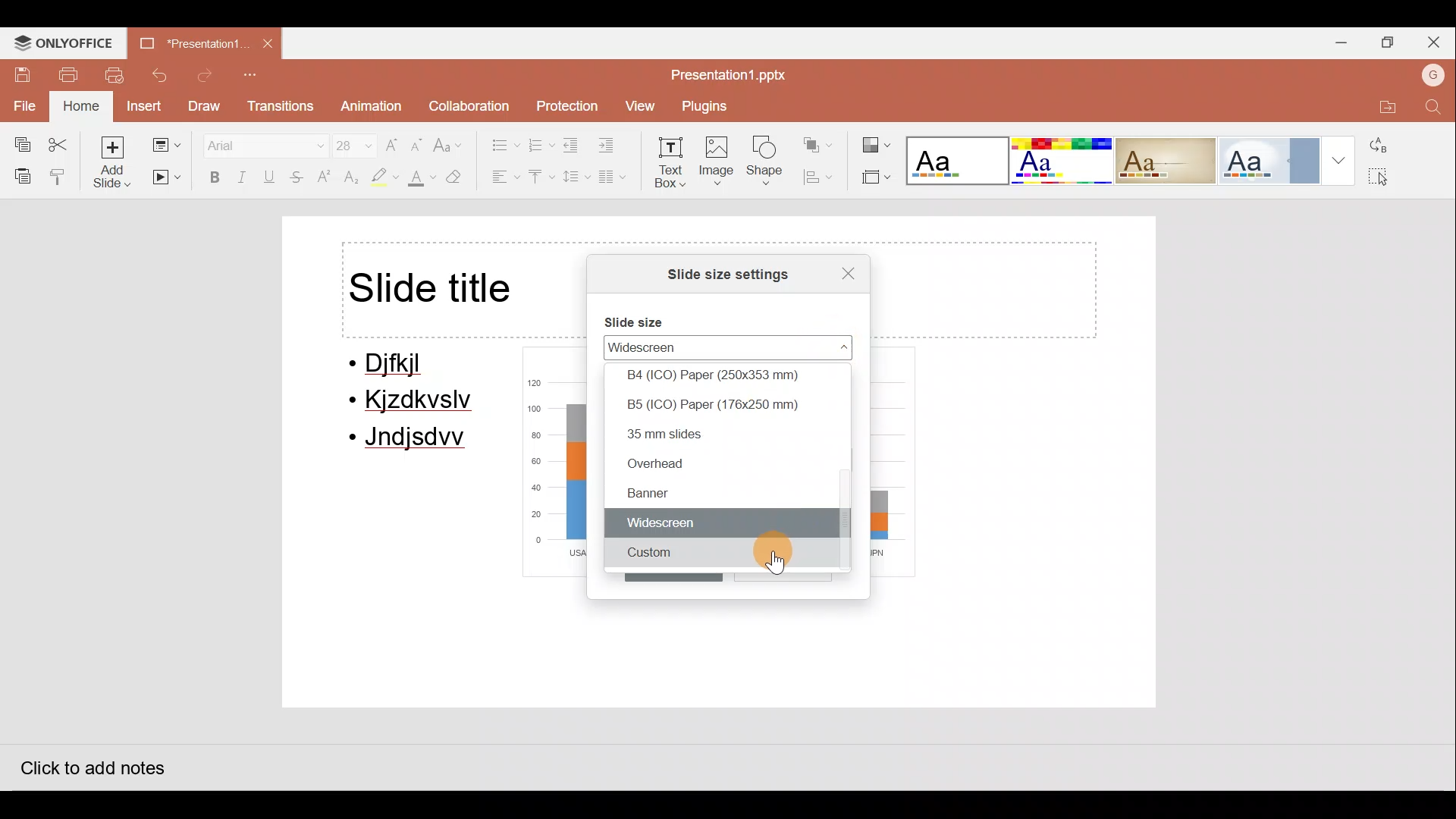  I want to click on Slide size, so click(642, 318).